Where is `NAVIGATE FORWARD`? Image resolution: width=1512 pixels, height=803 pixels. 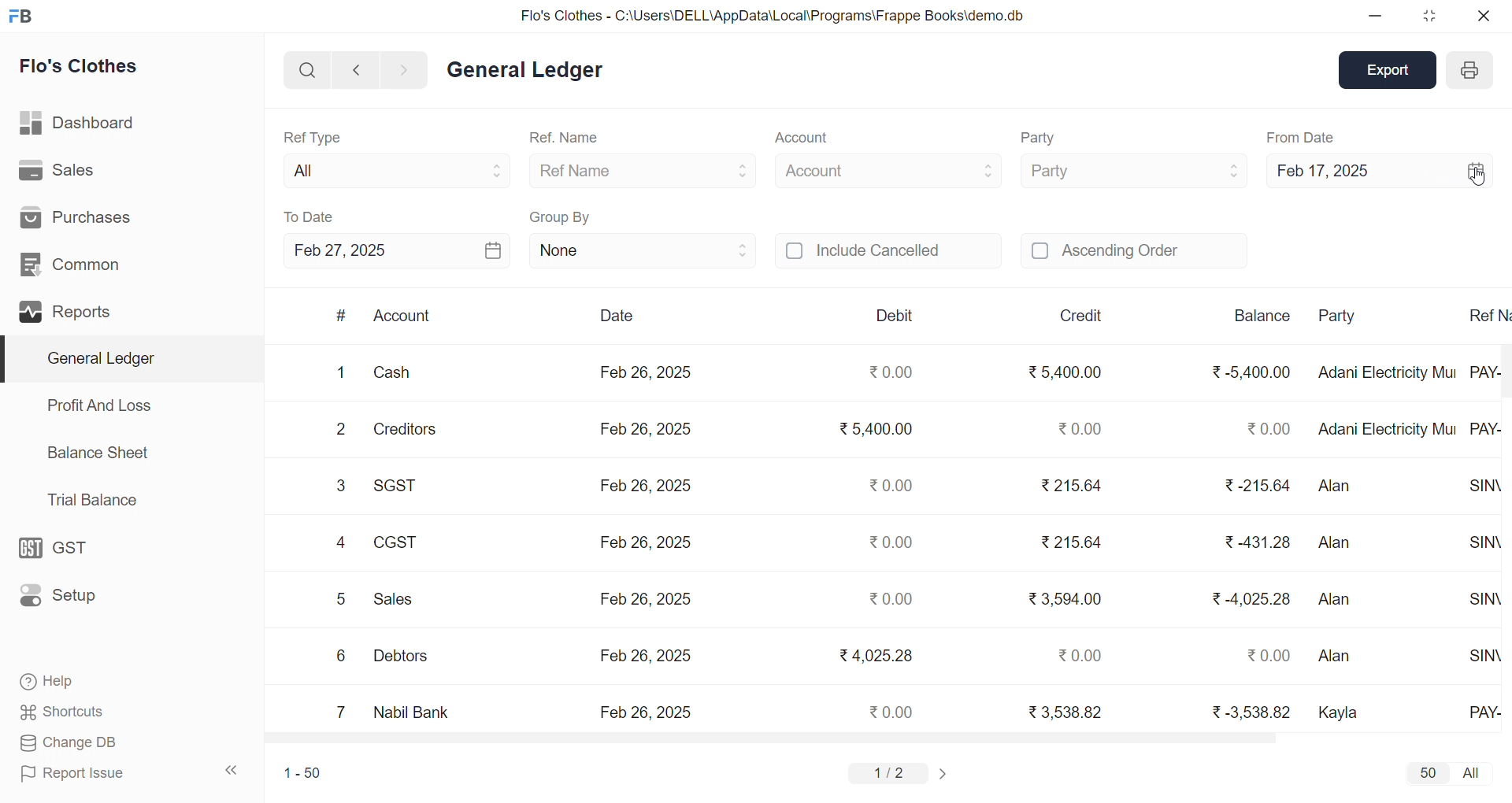 NAVIGATE FORWARD is located at coordinates (410, 68).